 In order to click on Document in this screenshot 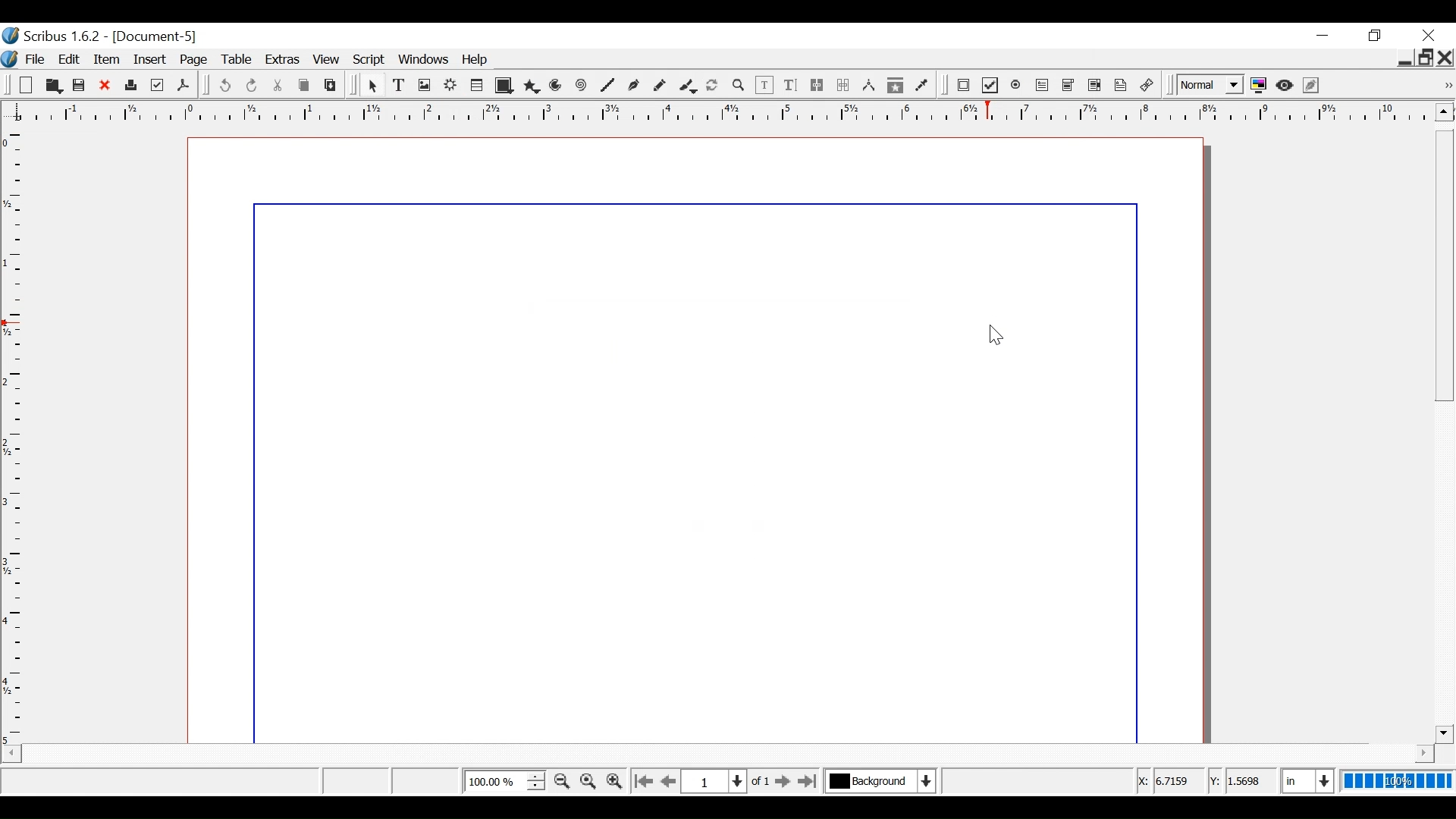, I will do `click(695, 439)`.